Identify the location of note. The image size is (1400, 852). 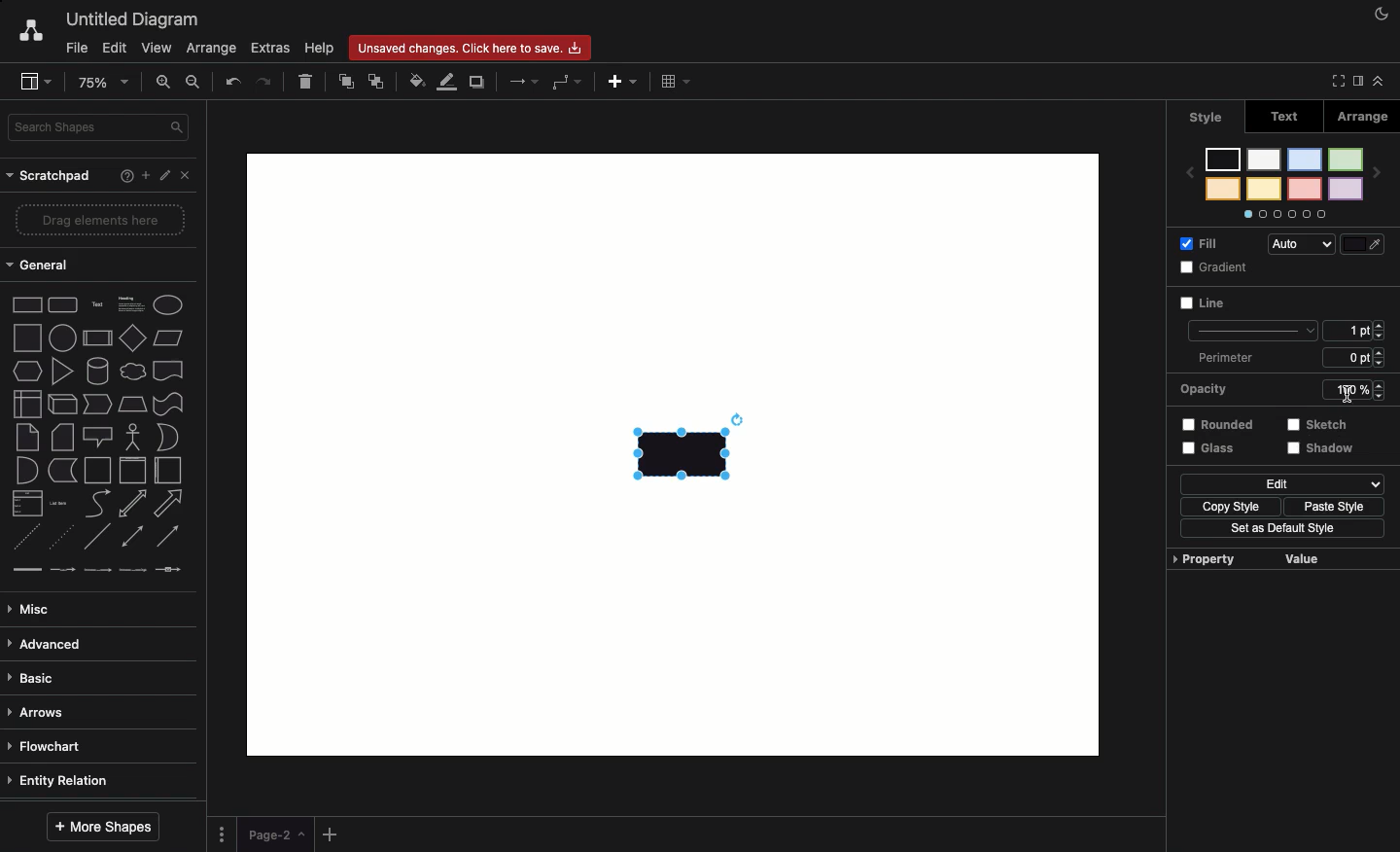
(28, 437).